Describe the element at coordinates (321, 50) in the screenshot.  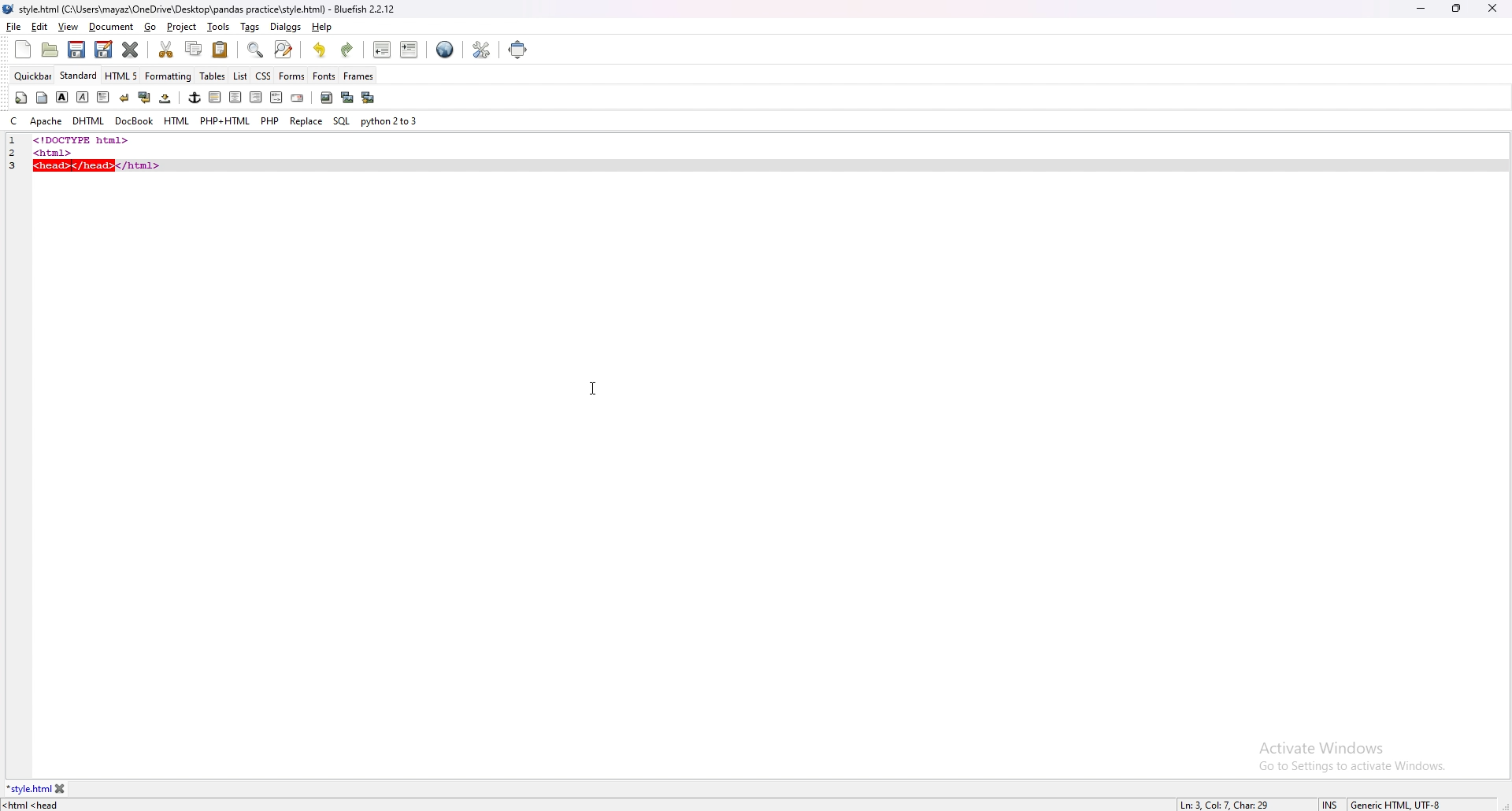
I see `undo` at that location.